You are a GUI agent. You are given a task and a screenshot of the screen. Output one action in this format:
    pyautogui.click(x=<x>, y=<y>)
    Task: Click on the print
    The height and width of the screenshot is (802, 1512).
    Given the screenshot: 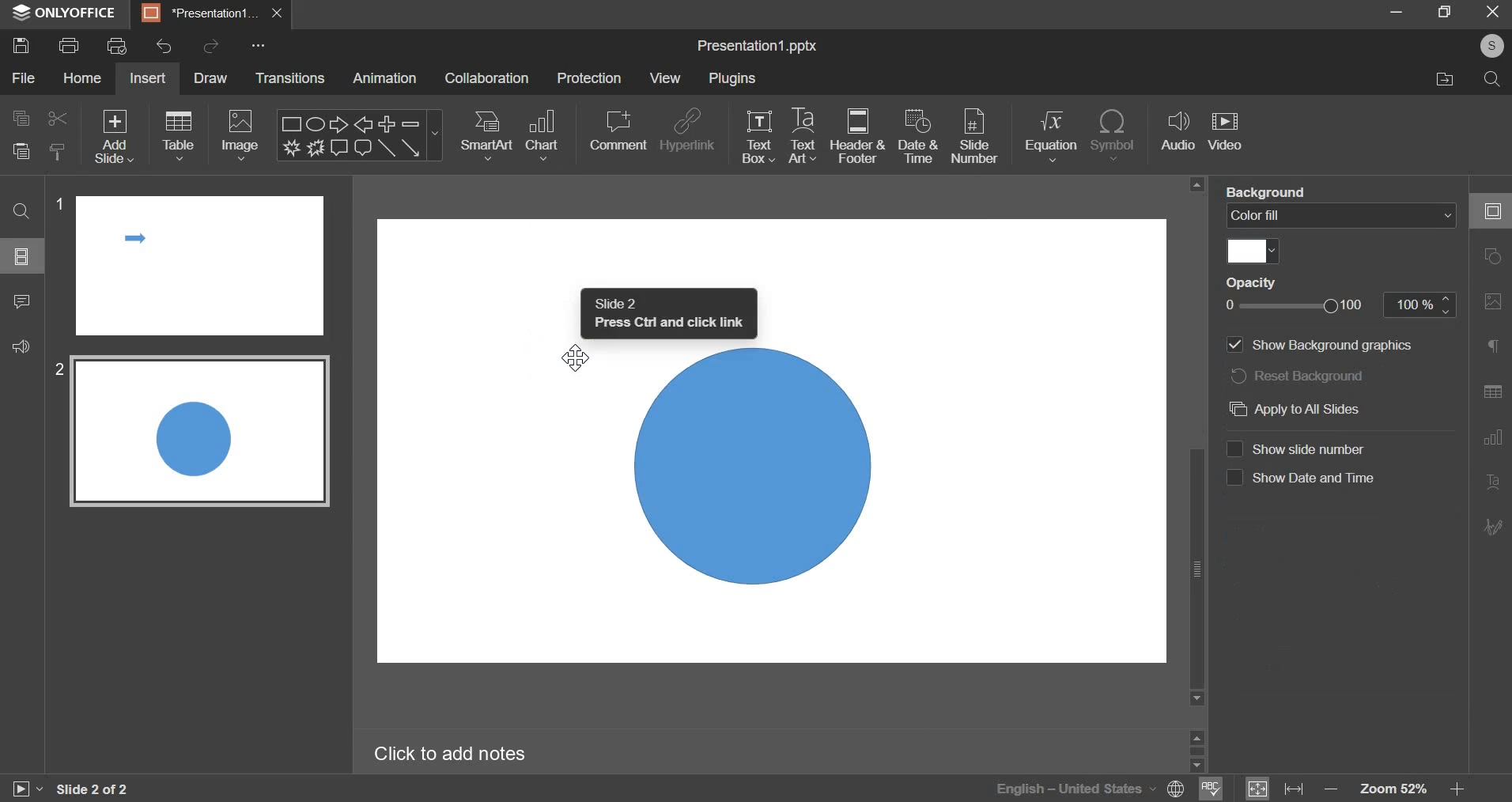 What is the action you would take?
    pyautogui.click(x=70, y=45)
    